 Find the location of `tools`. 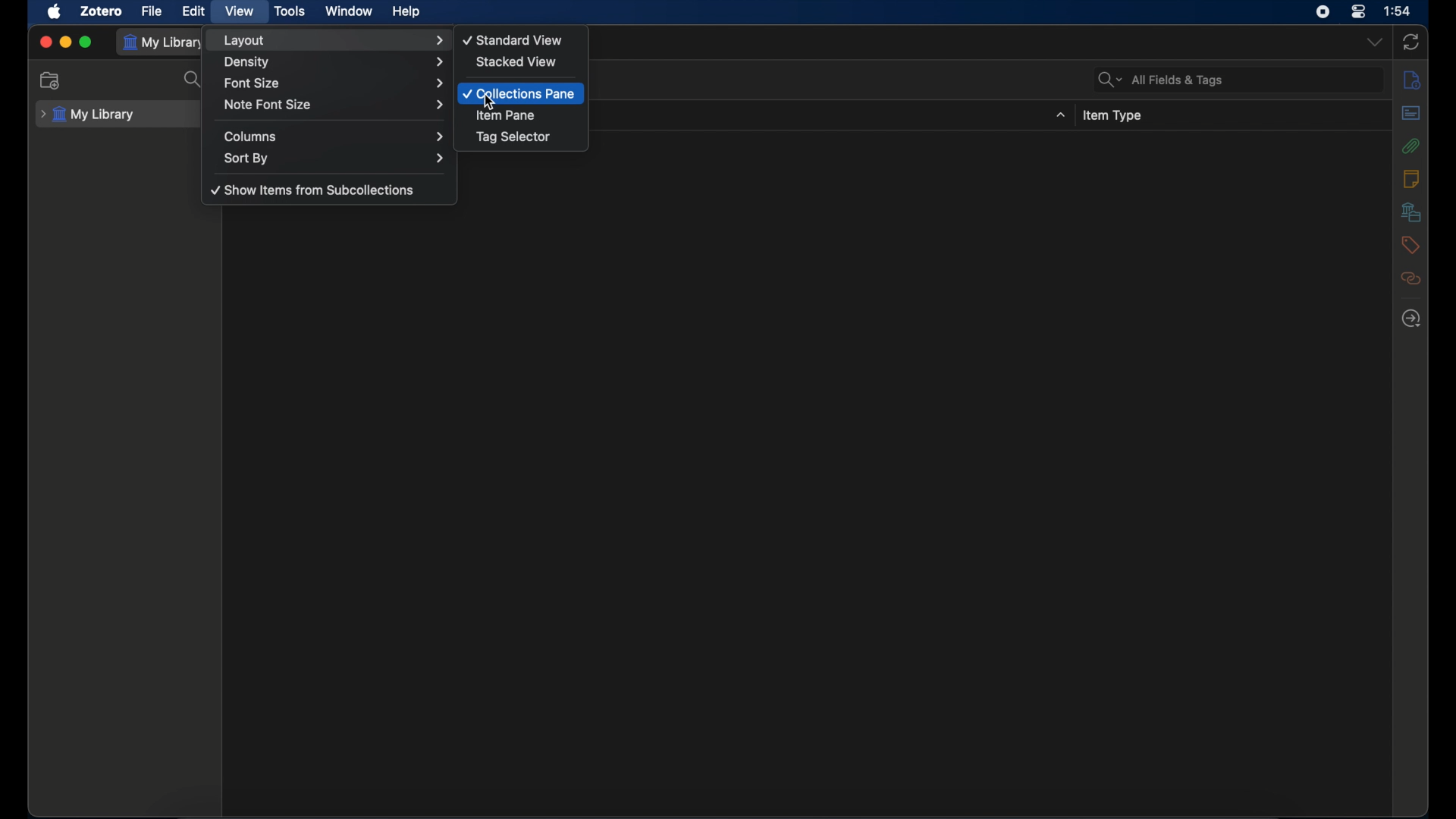

tools is located at coordinates (291, 11).